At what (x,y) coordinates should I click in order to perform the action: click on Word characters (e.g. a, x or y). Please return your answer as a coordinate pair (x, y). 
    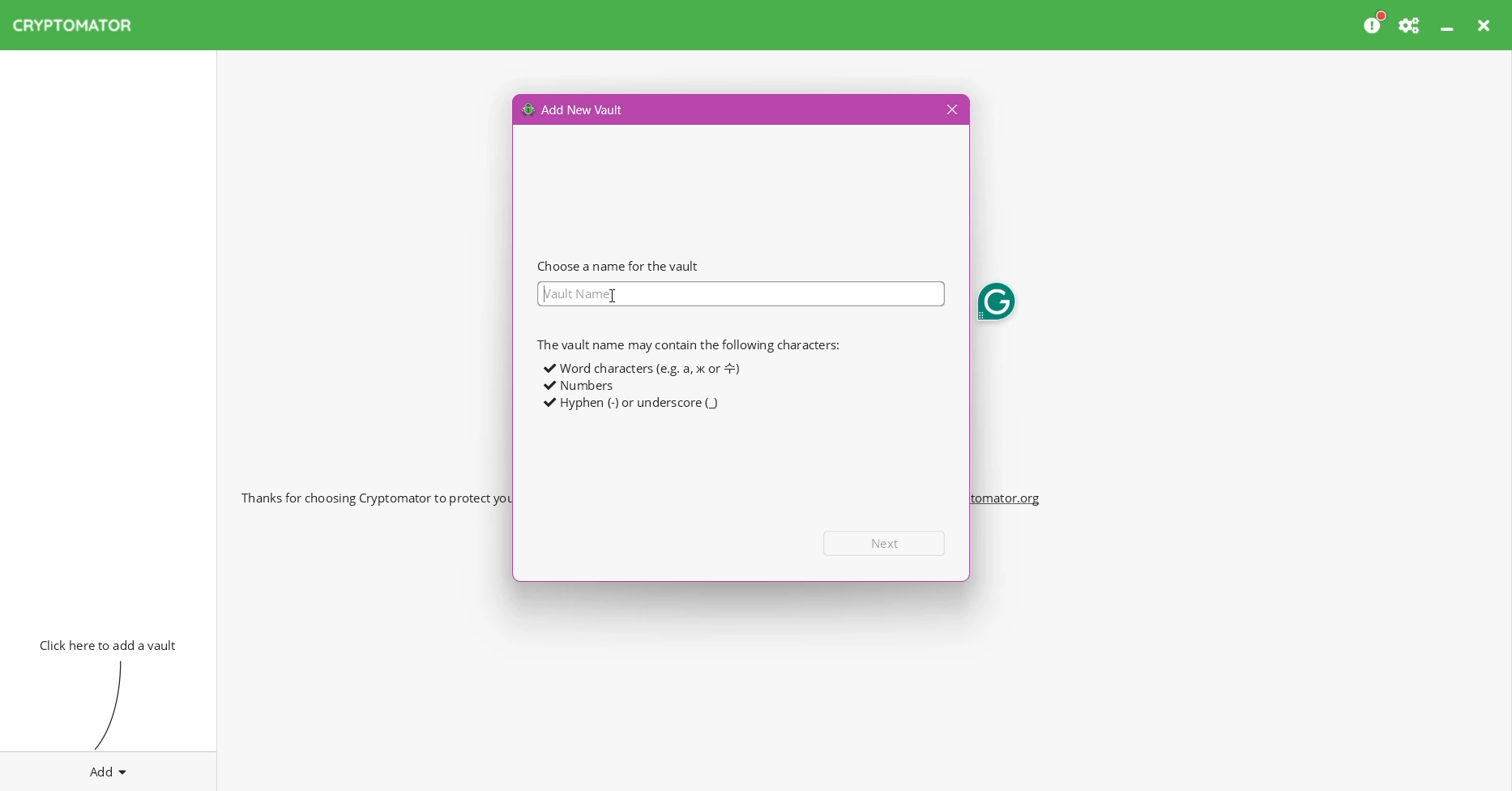
    Looking at the image, I should click on (640, 368).